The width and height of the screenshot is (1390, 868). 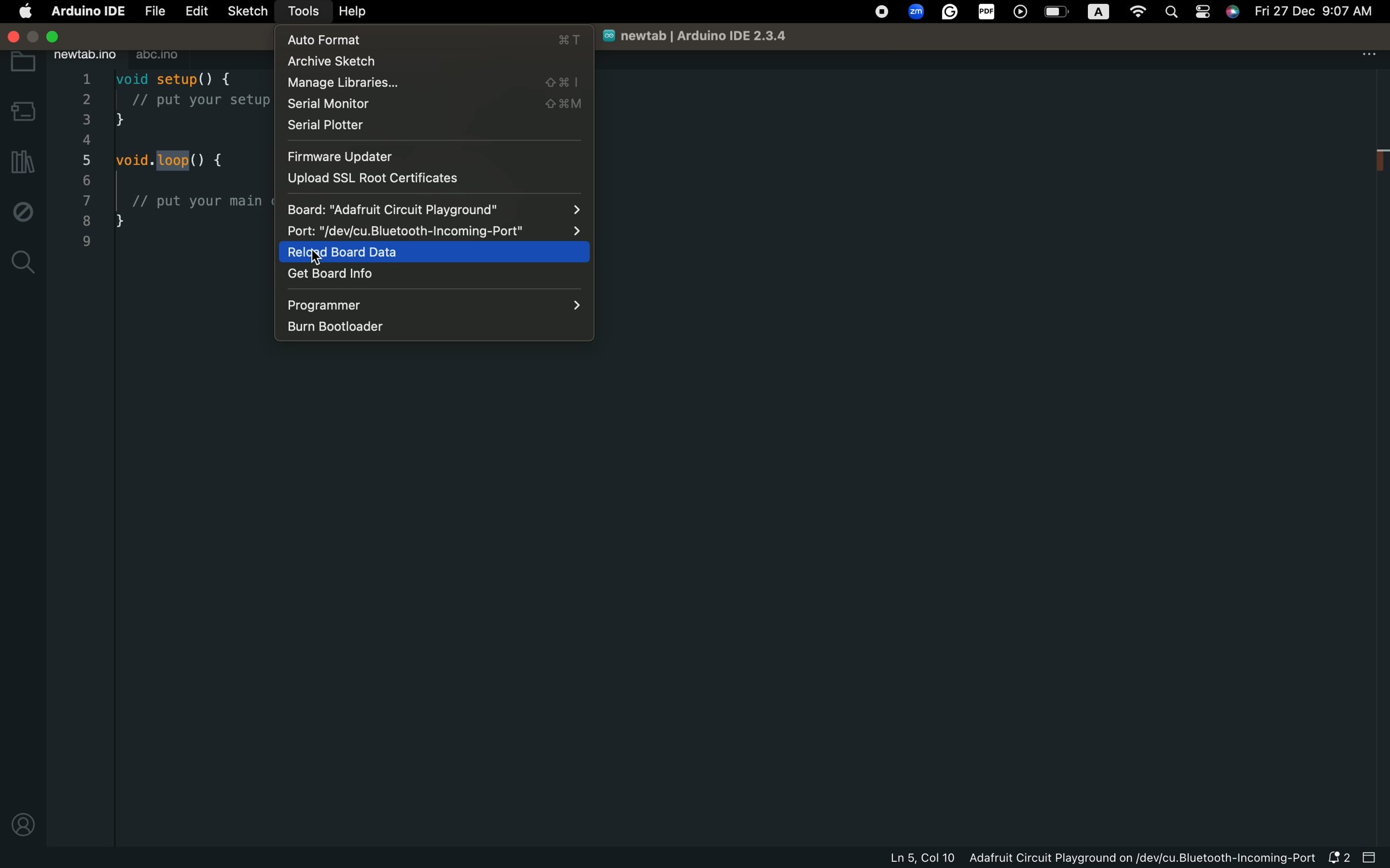 I want to click on notification, so click(x=1337, y=859).